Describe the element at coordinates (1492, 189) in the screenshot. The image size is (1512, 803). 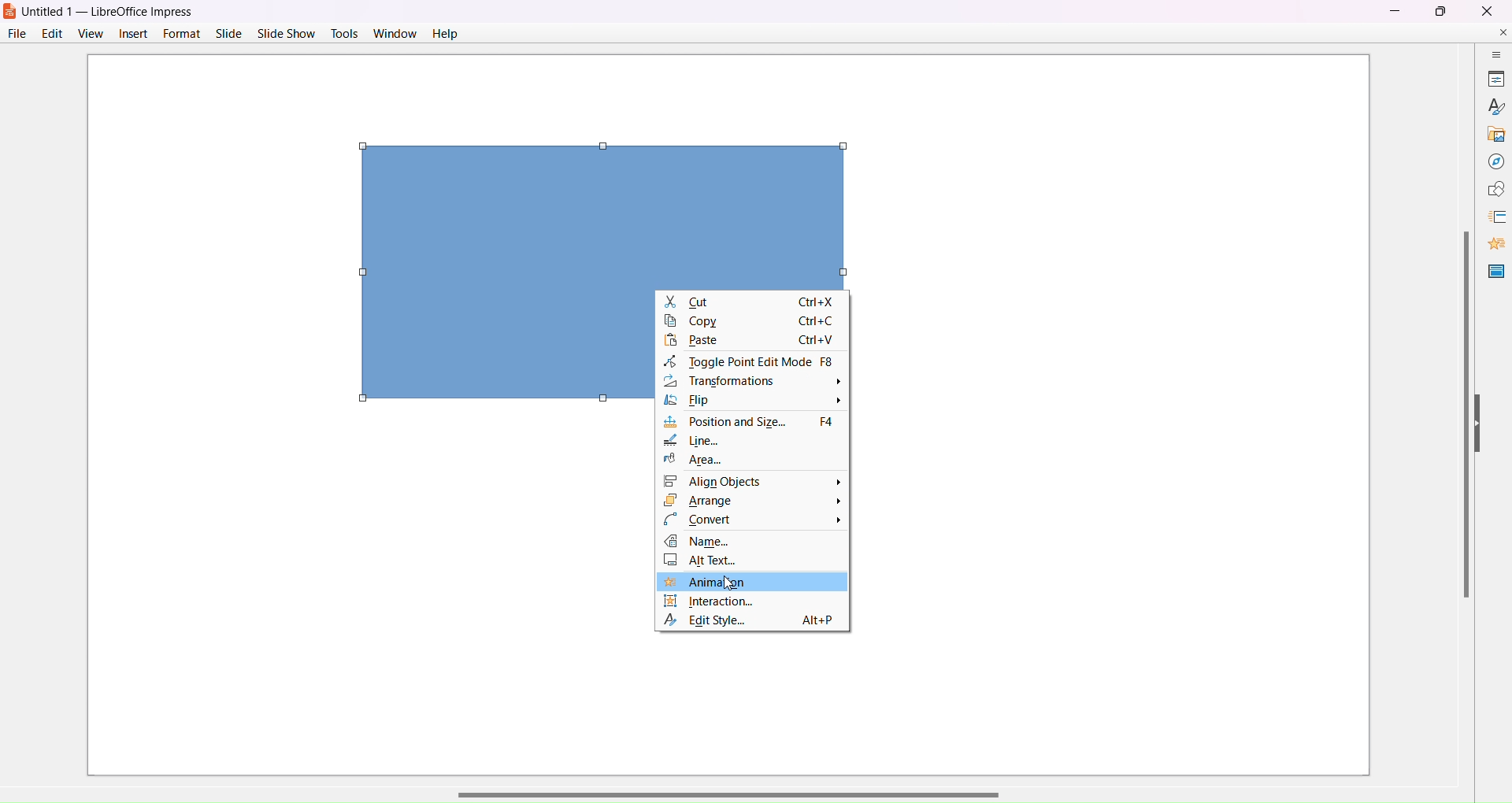
I see `Shapes` at that location.